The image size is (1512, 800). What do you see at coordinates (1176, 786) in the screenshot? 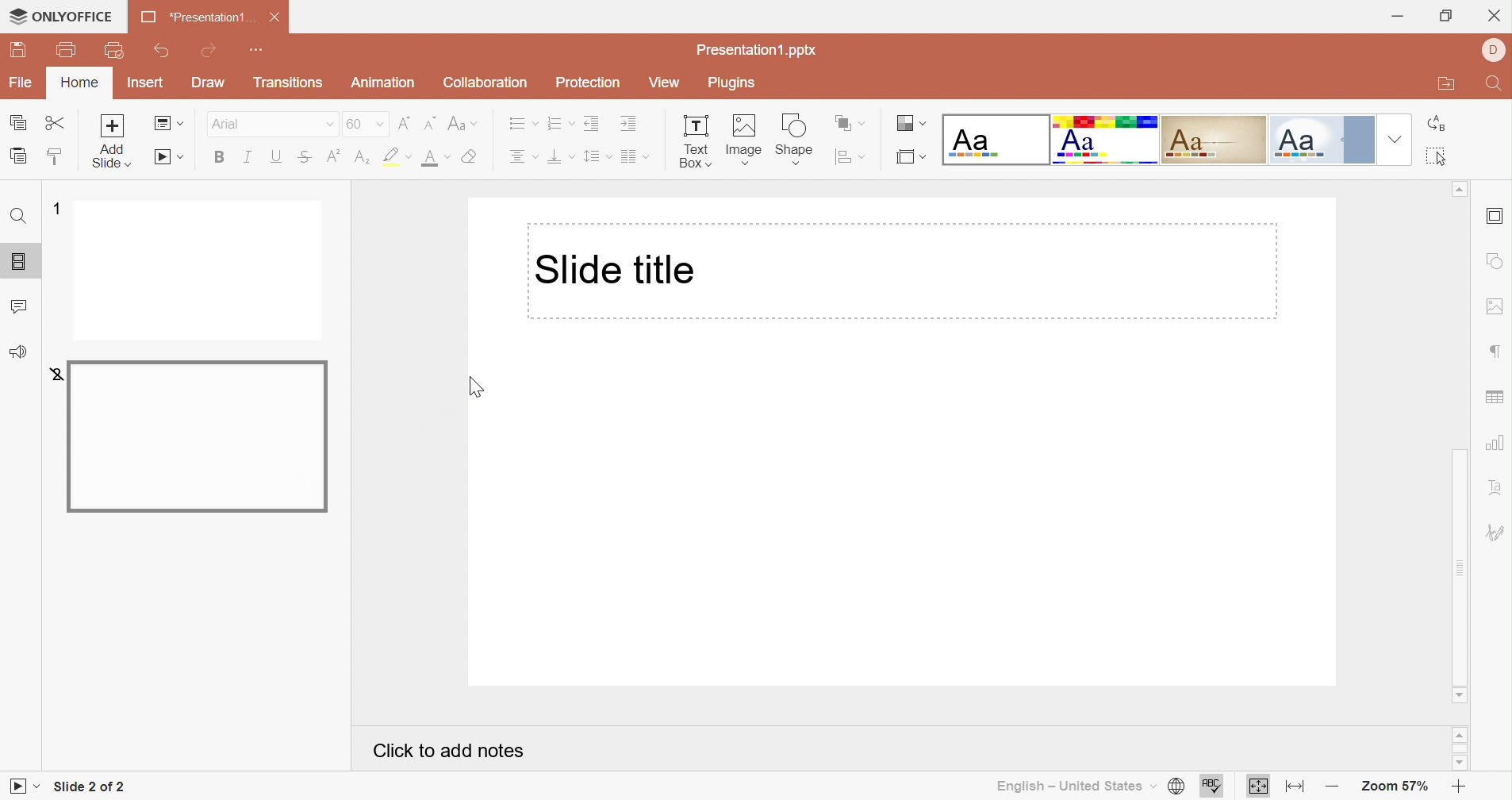
I see `Set document language` at bounding box center [1176, 786].